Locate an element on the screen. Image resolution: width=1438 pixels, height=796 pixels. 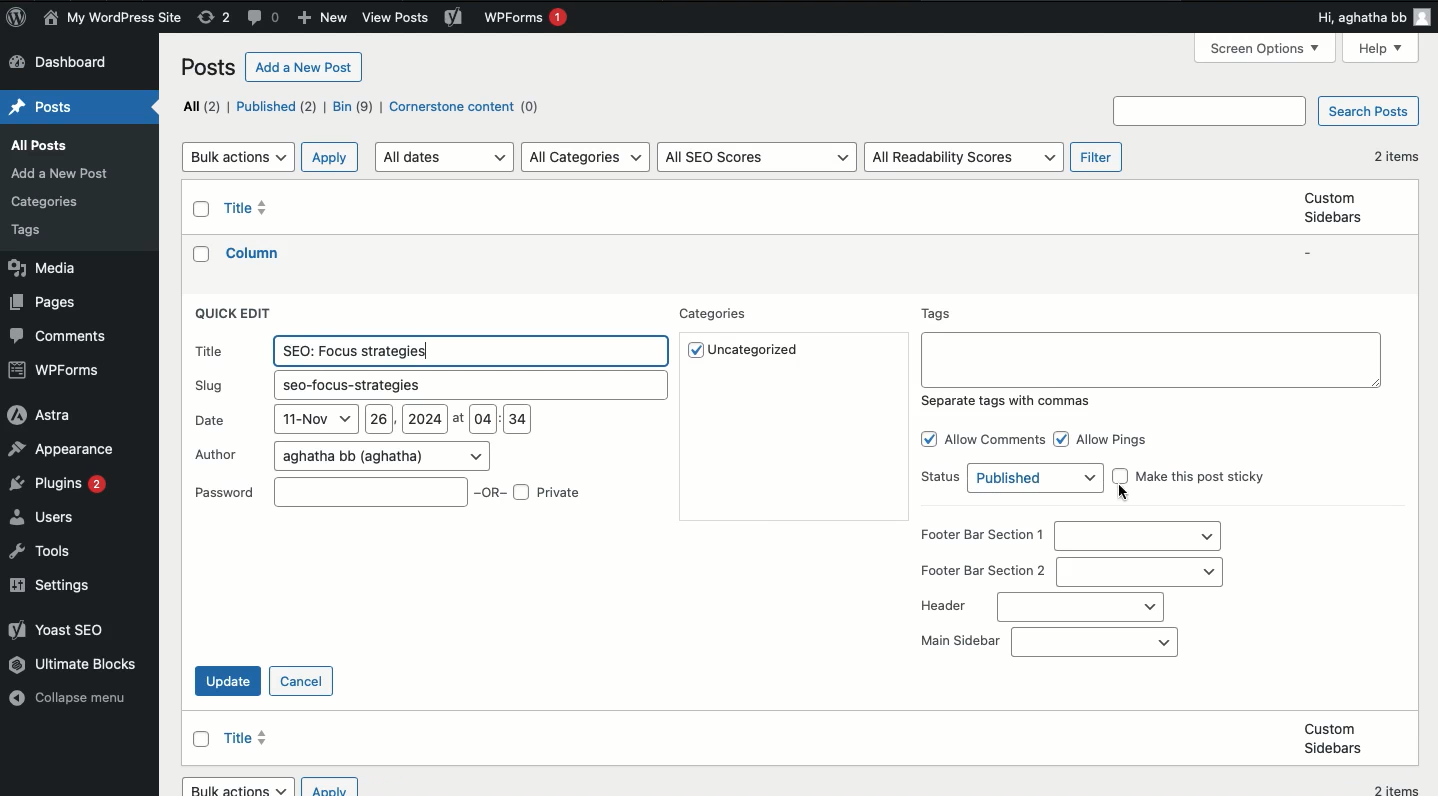
Apply is located at coordinates (331, 157).